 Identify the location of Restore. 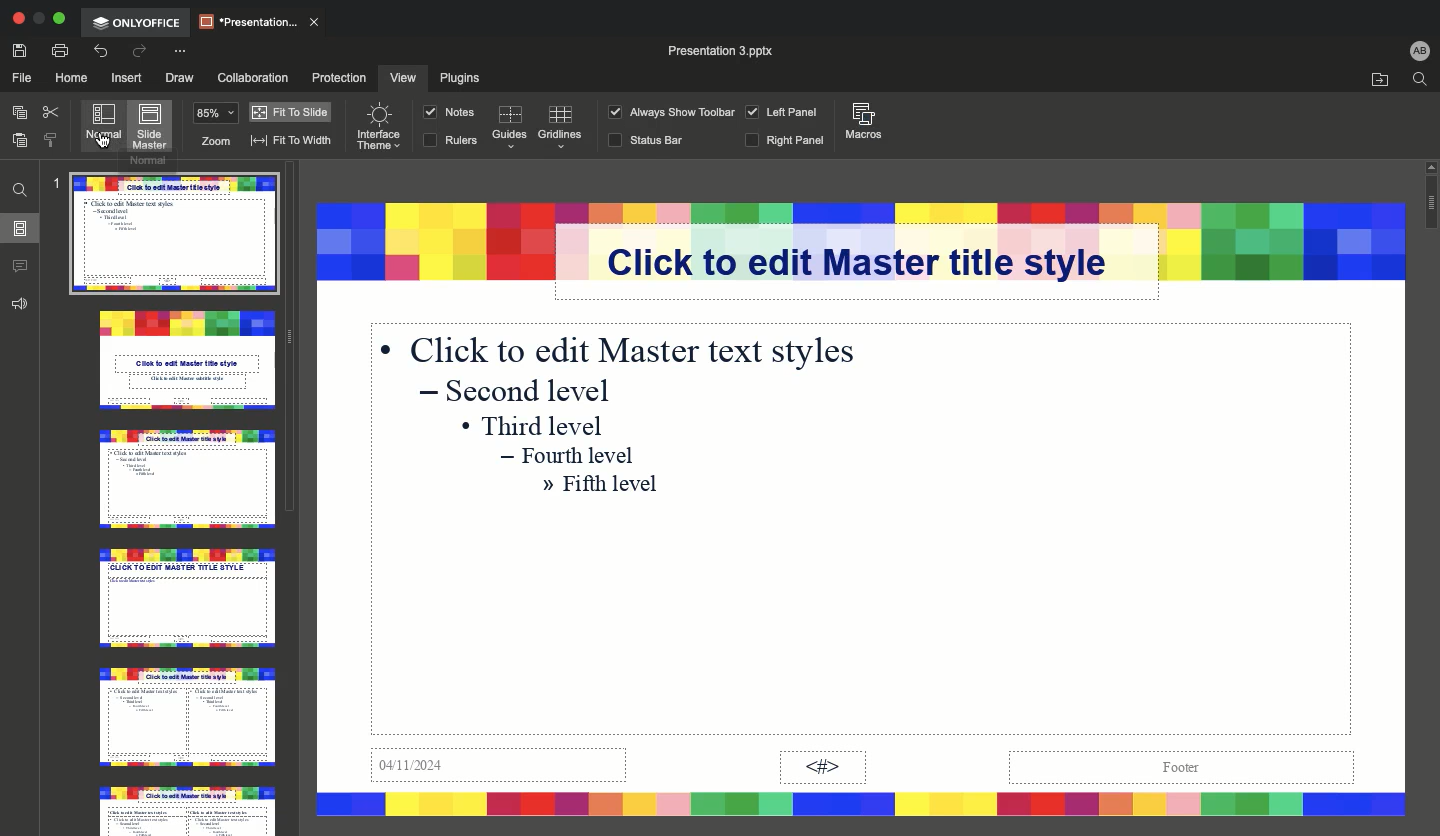
(38, 20).